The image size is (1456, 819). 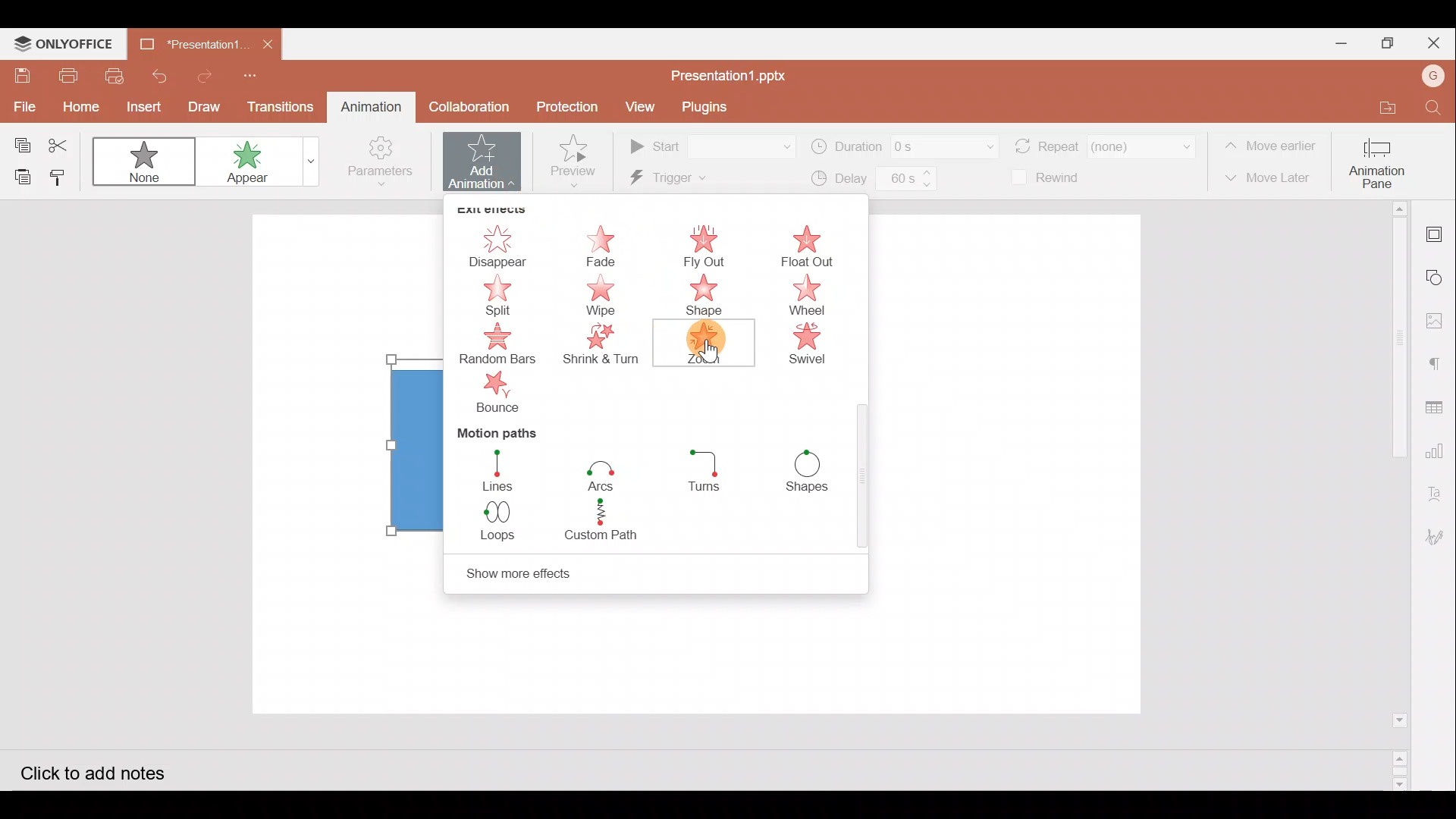 I want to click on Save, so click(x=22, y=76).